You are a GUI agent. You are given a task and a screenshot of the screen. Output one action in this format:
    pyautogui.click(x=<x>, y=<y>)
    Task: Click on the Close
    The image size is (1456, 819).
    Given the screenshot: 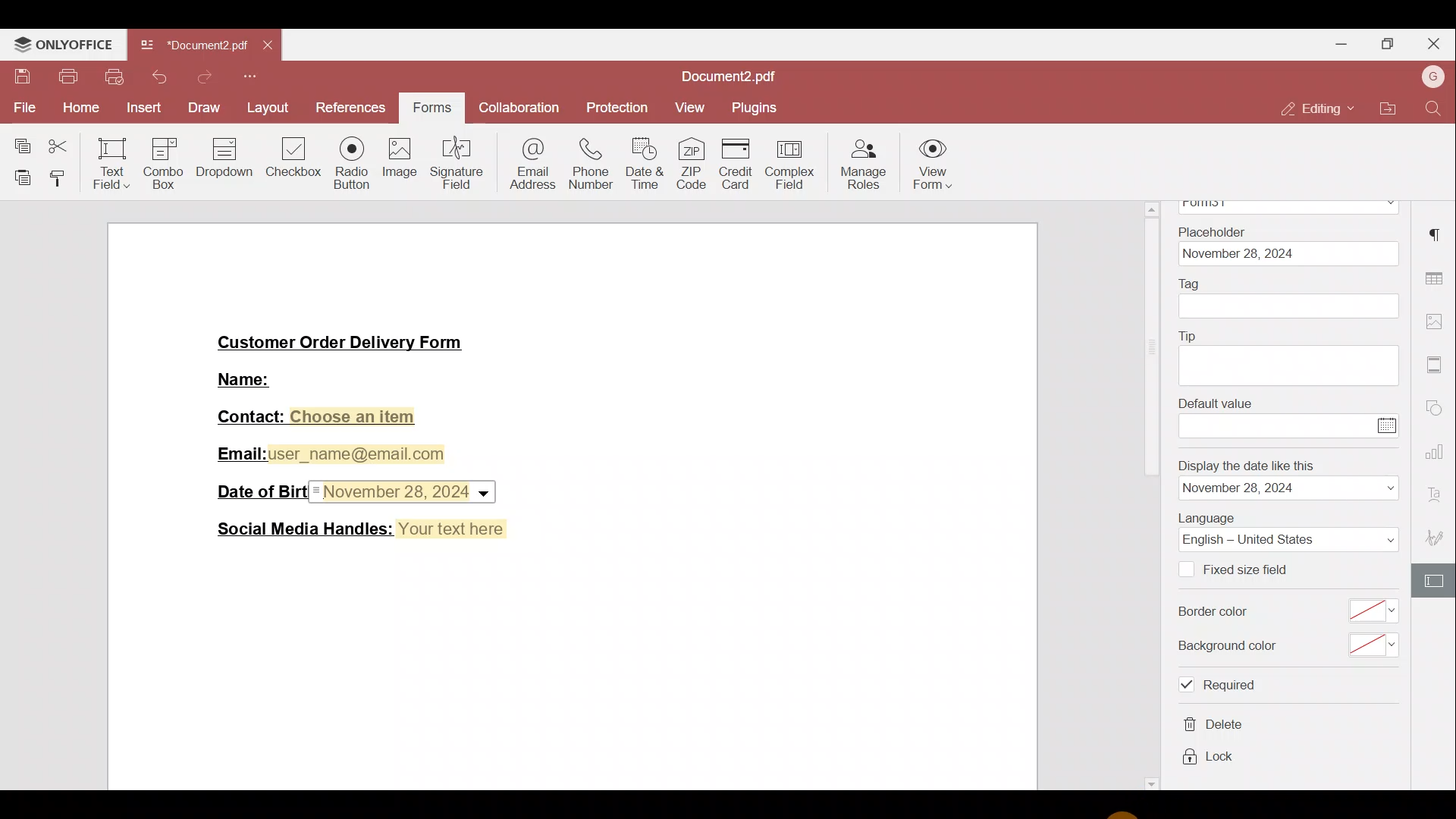 What is the action you would take?
    pyautogui.click(x=1434, y=44)
    